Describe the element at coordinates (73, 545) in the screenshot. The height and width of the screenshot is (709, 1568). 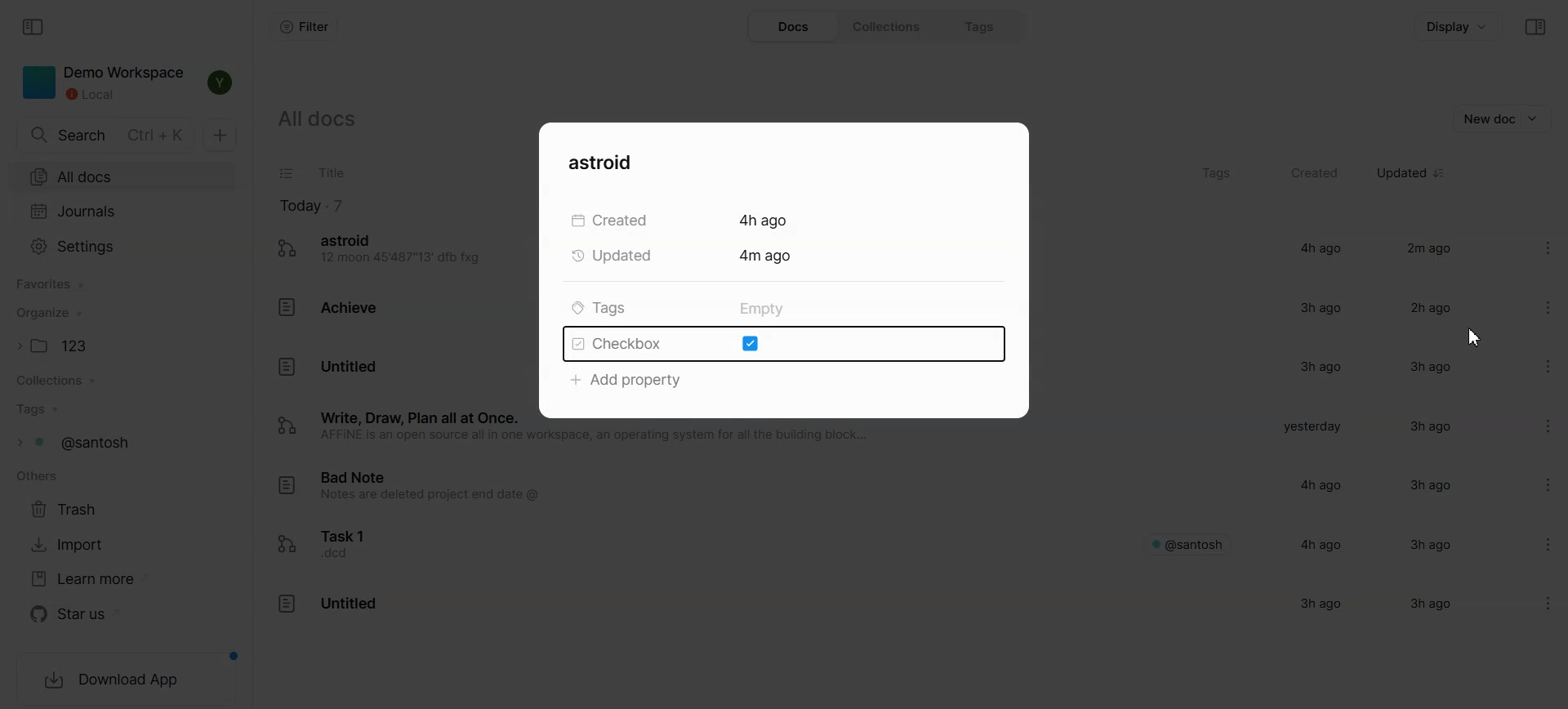
I see `Import` at that location.